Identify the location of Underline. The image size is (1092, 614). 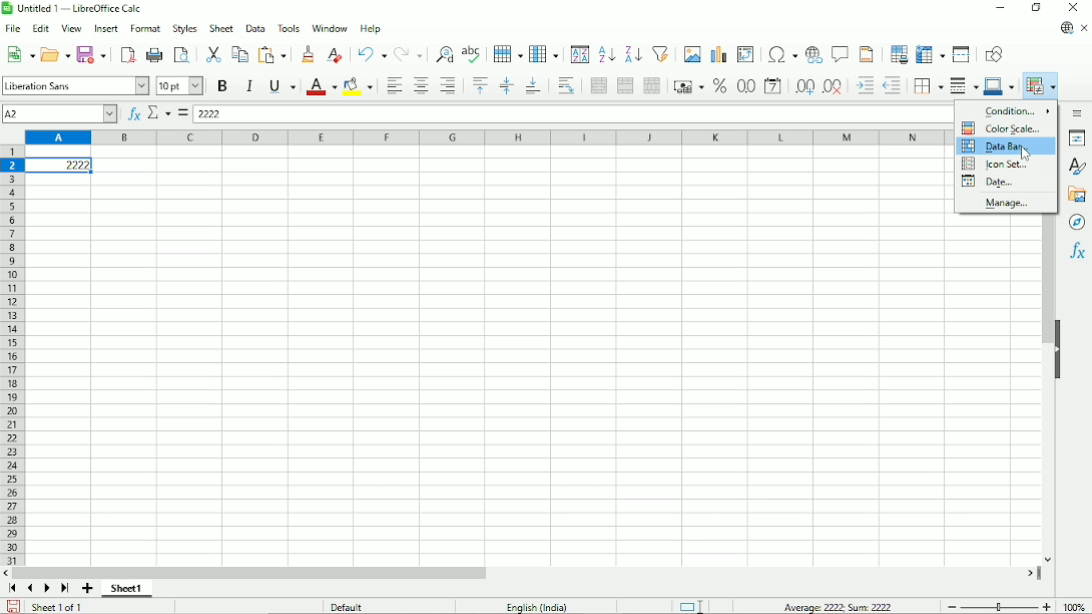
(282, 87).